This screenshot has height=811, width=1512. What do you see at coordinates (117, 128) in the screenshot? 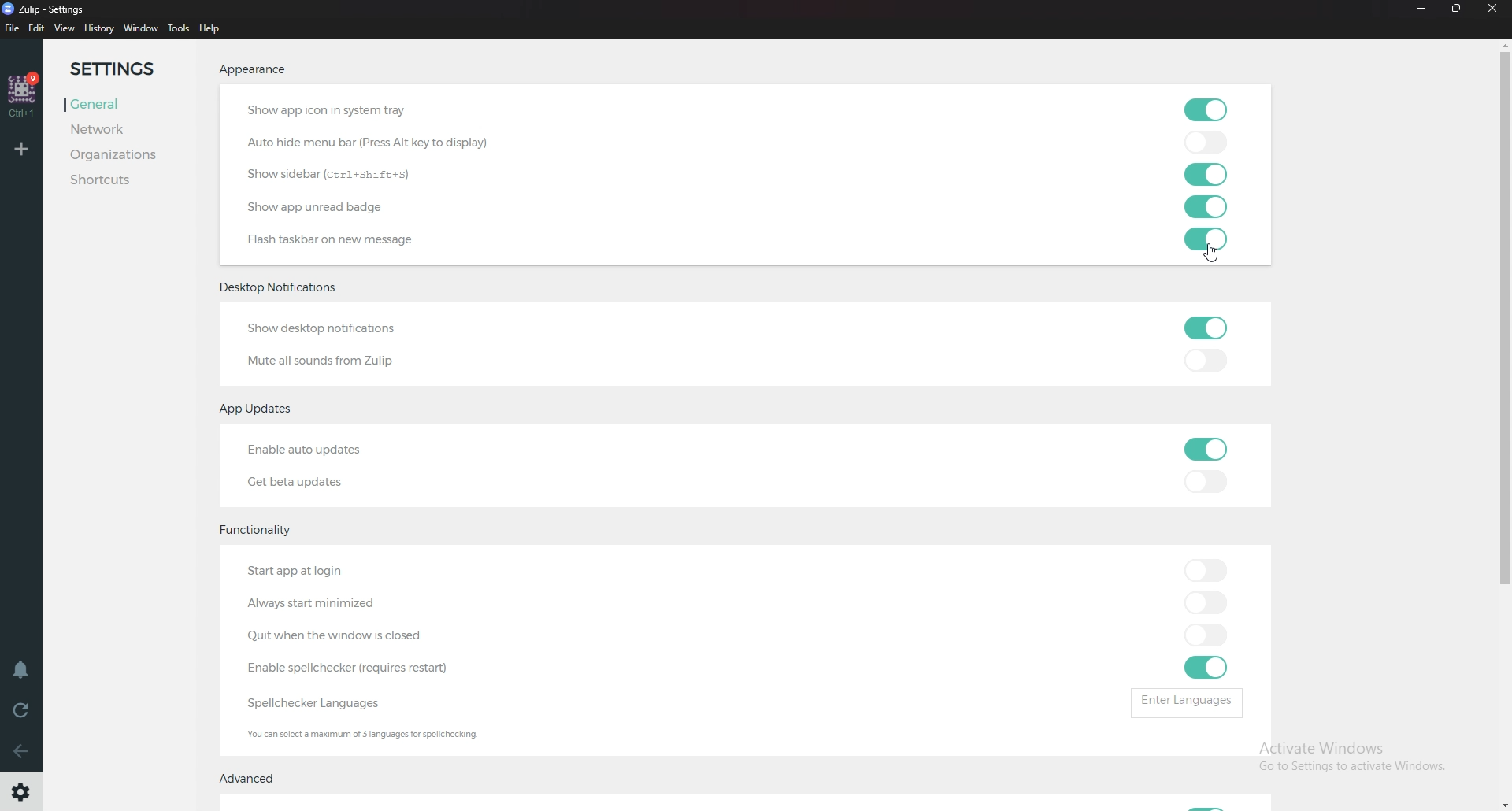
I see `Network` at bounding box center [117, 128].